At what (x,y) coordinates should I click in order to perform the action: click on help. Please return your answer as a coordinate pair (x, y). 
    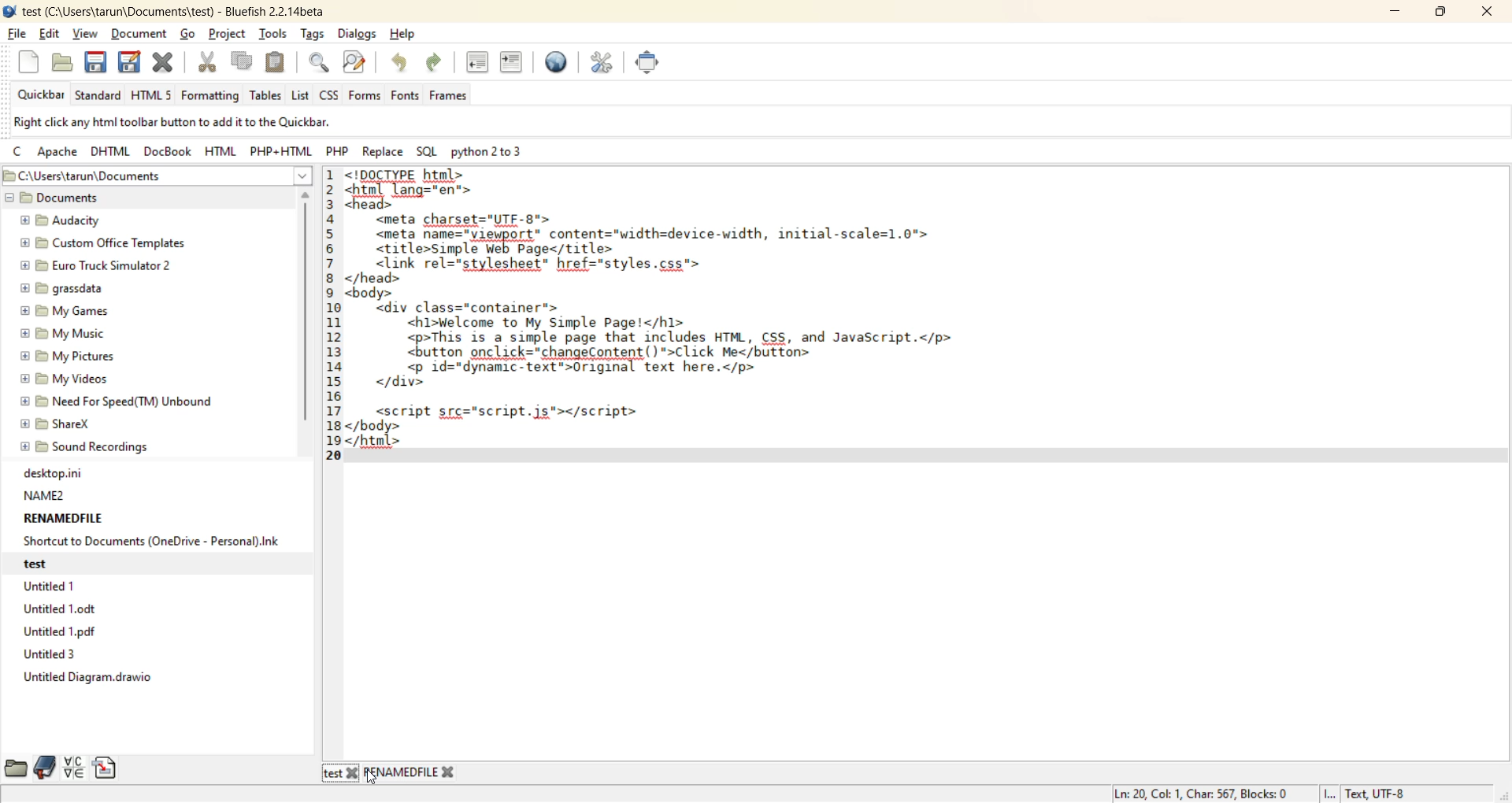
    Looking at the image, I should click on (406, 37).